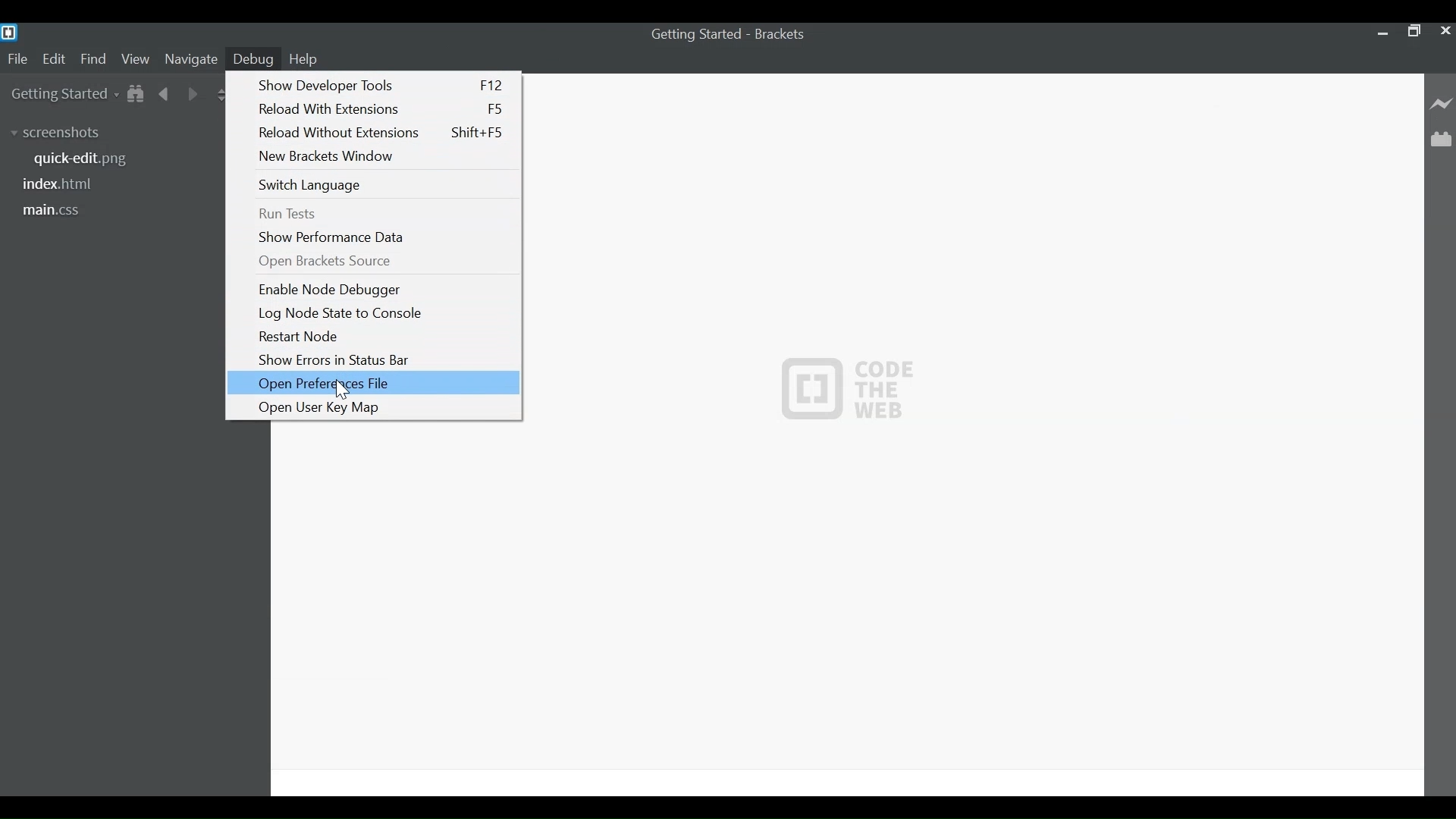  Describe the element at coordinates (306, 58) in the screenshot. I see `Help` at that location.